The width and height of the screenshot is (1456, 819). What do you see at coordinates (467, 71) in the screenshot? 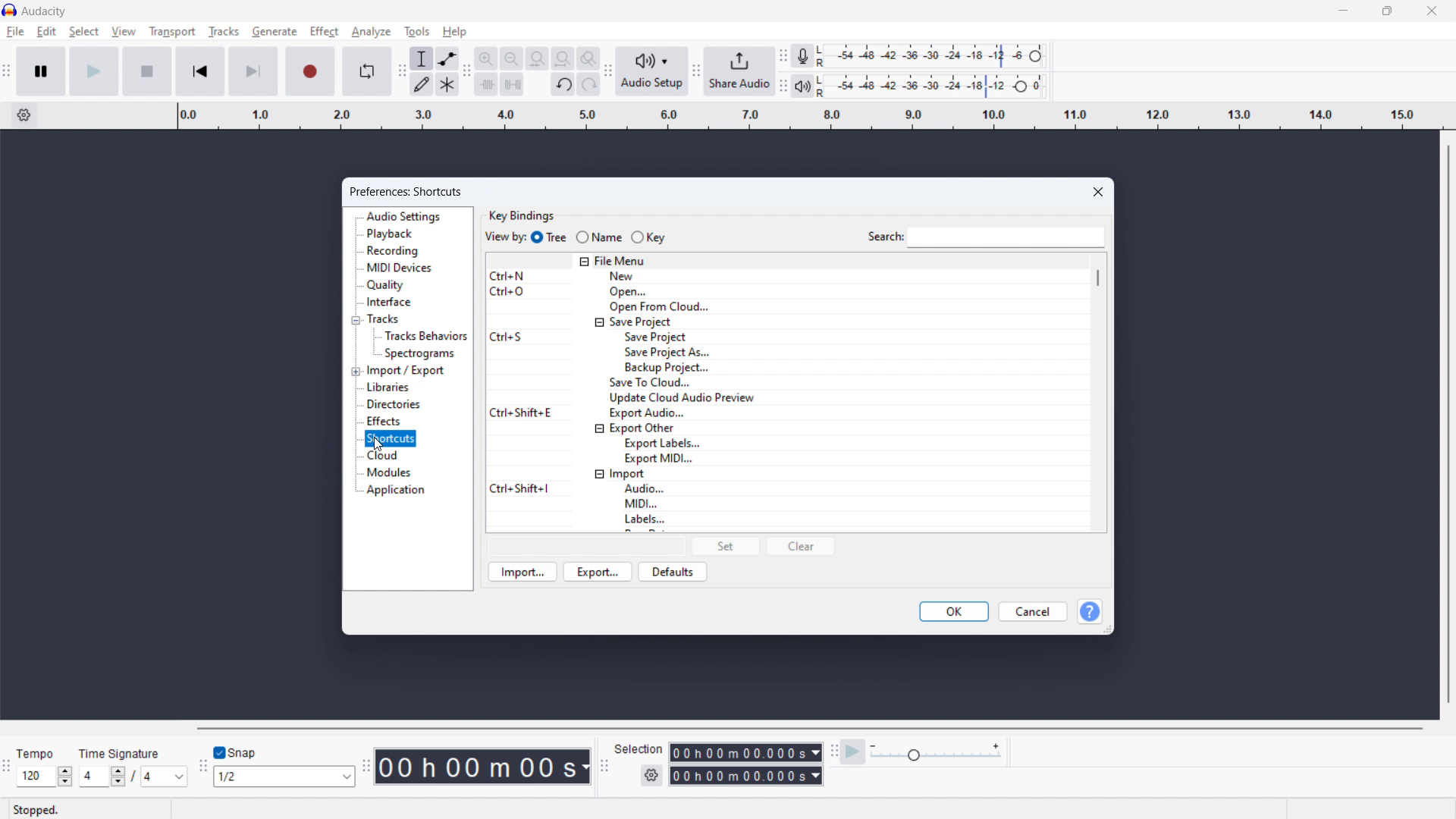
I see `Enable movment of edit toolbar` at bounding box center [467, 71].